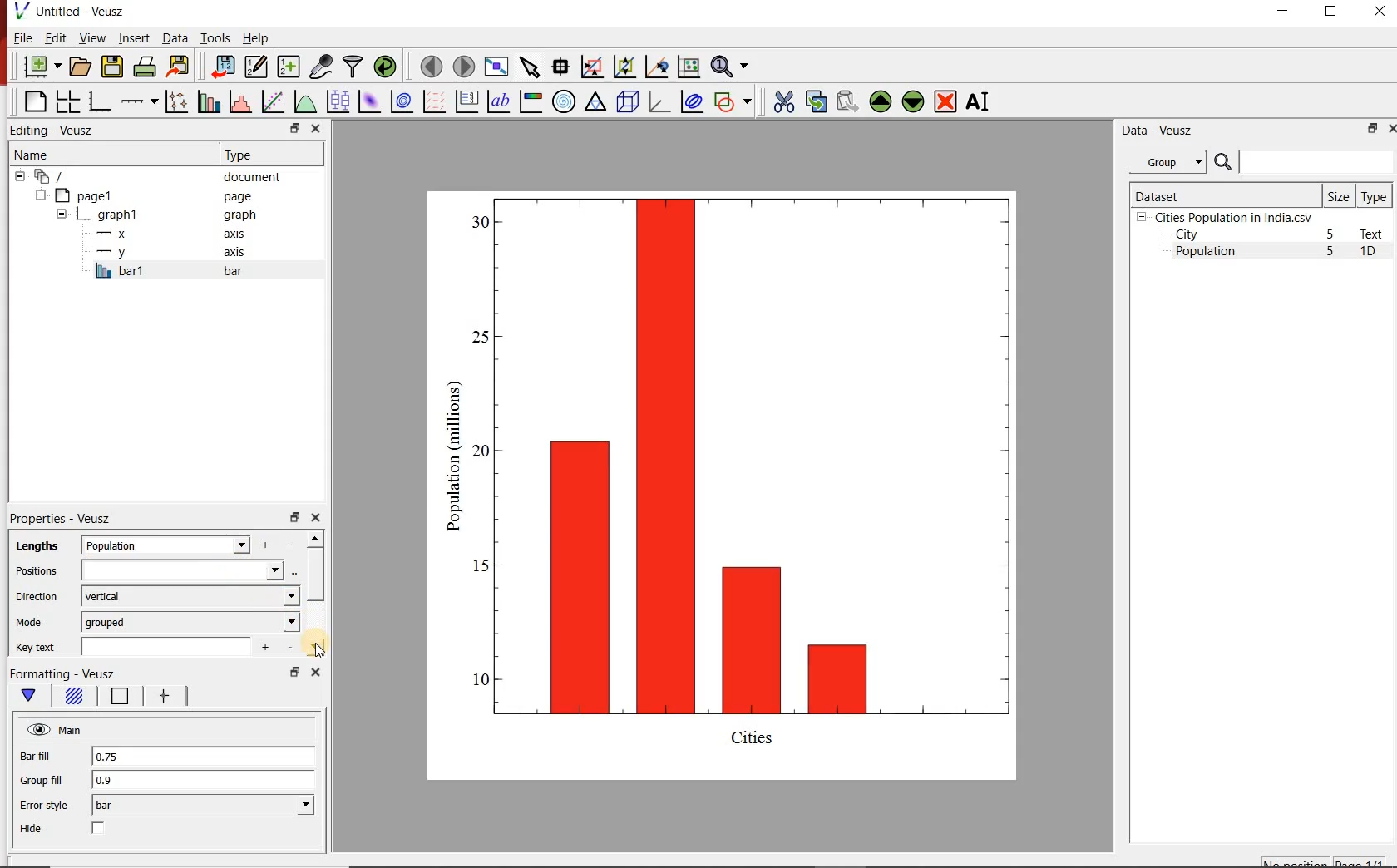  What do you see at coordinates (161, 698) in the screenshot?
I see `Error bar line` at bounding box center [161, 698].